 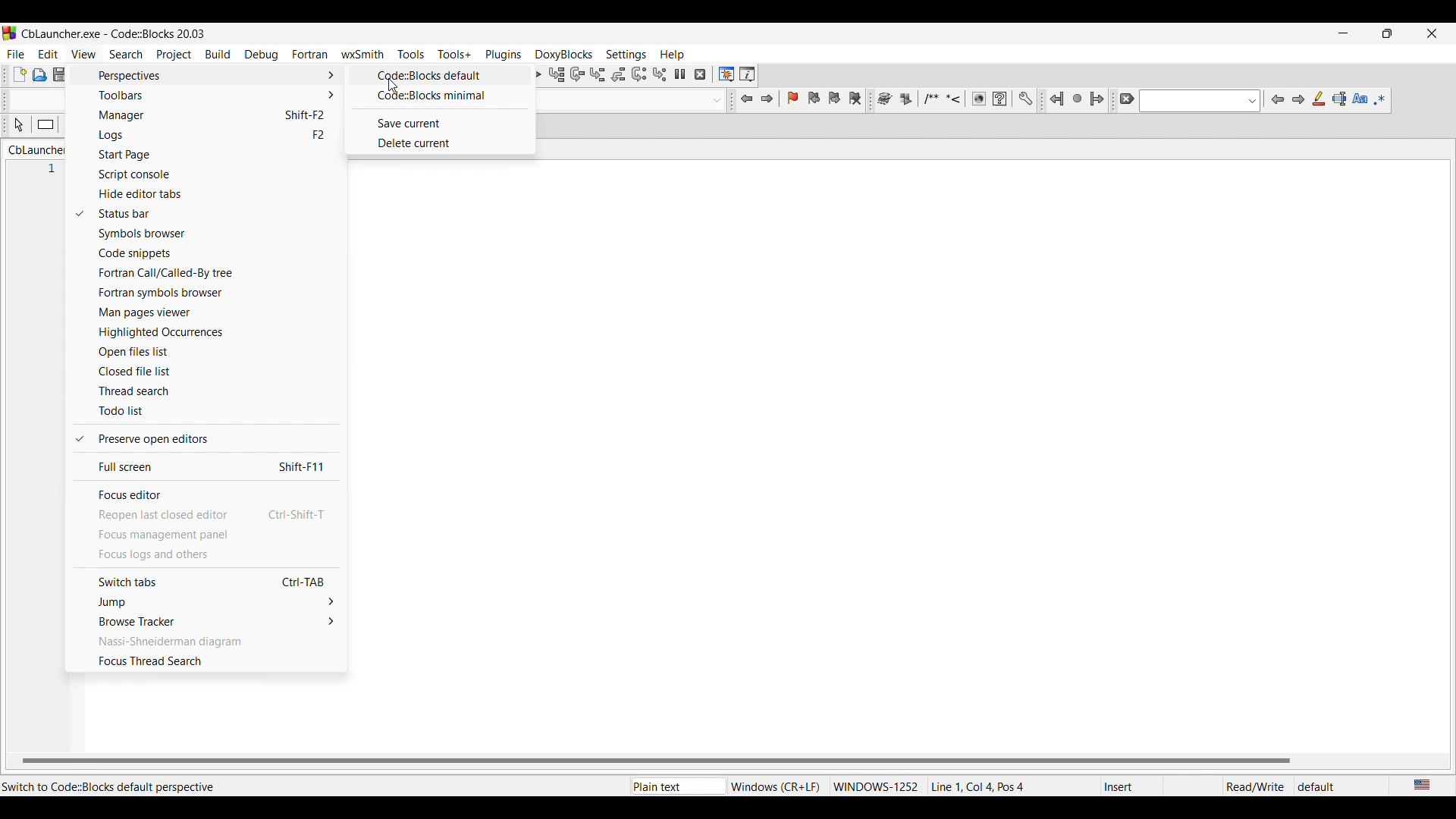 I want to click on Search menu, so click(x=127, y=54).